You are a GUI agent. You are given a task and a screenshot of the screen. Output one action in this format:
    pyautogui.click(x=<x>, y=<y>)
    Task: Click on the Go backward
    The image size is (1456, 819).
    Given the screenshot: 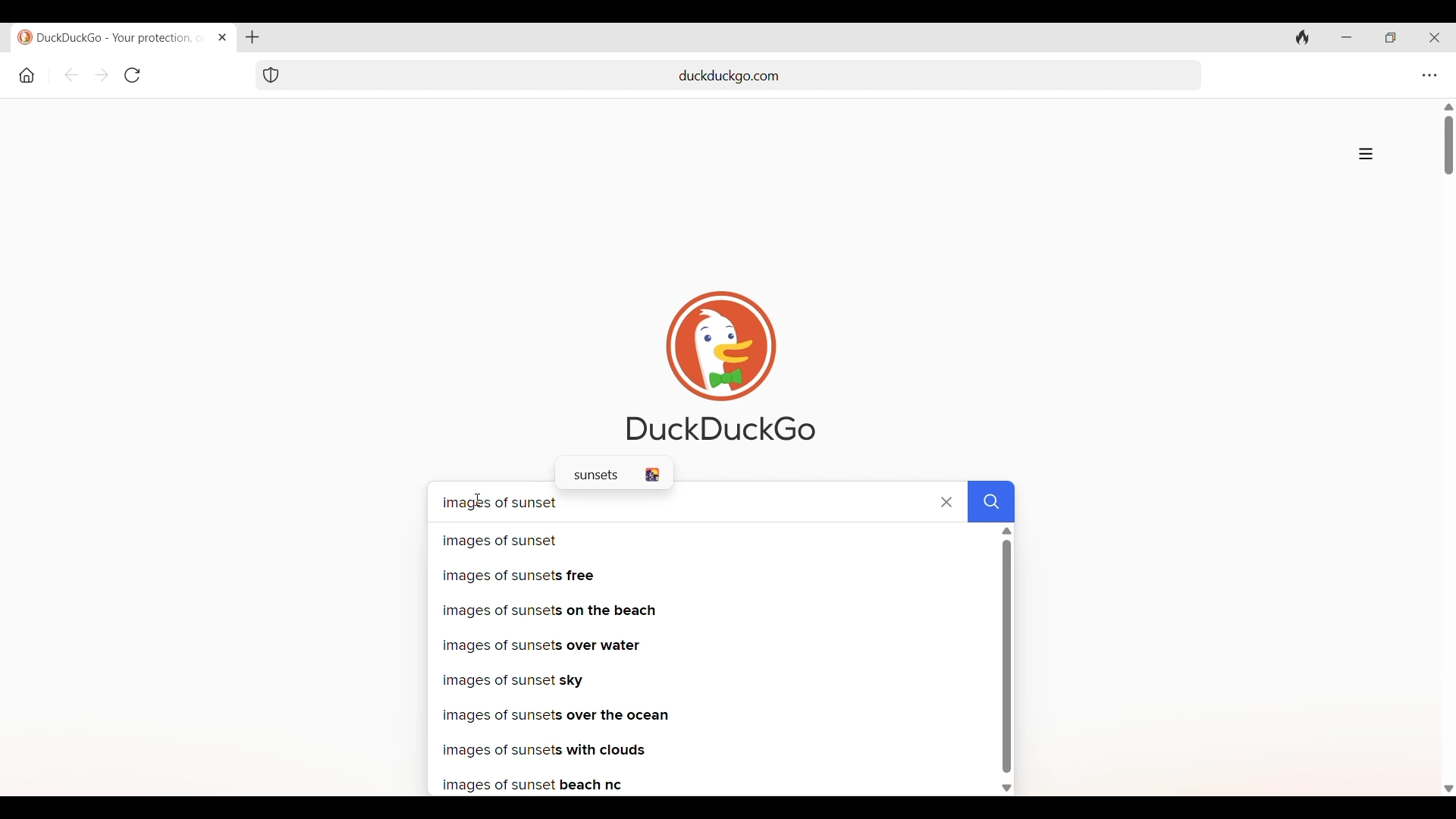 What is the action you would take?
    pyautogui.click(x=71, y=75)
    